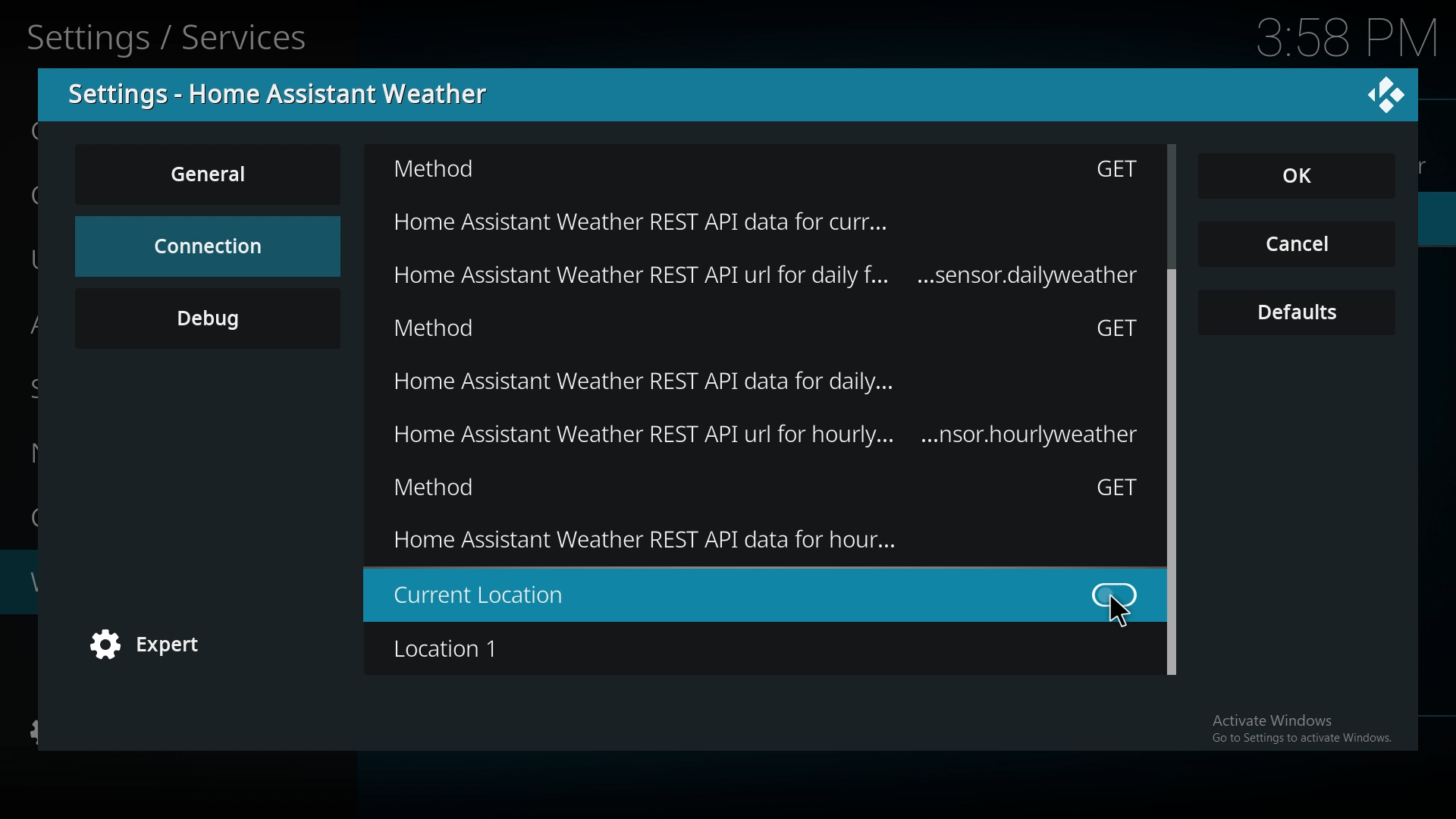 The width and height of the screenshot is (1456, 819). Describe the element at coordinates (1348, 35) in the screenshot. I see `Time` at that location.